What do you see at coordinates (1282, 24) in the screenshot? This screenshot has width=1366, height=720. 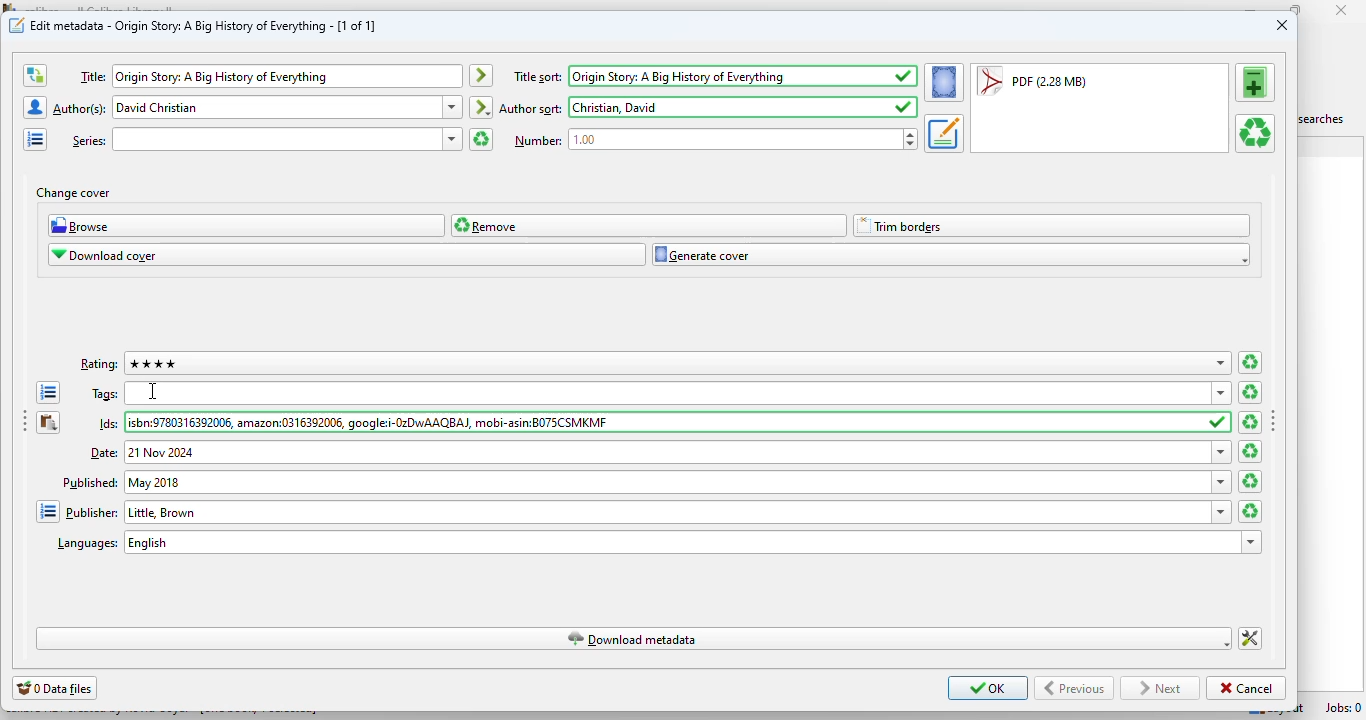 I see `close` at bounding box center [1282, 24].